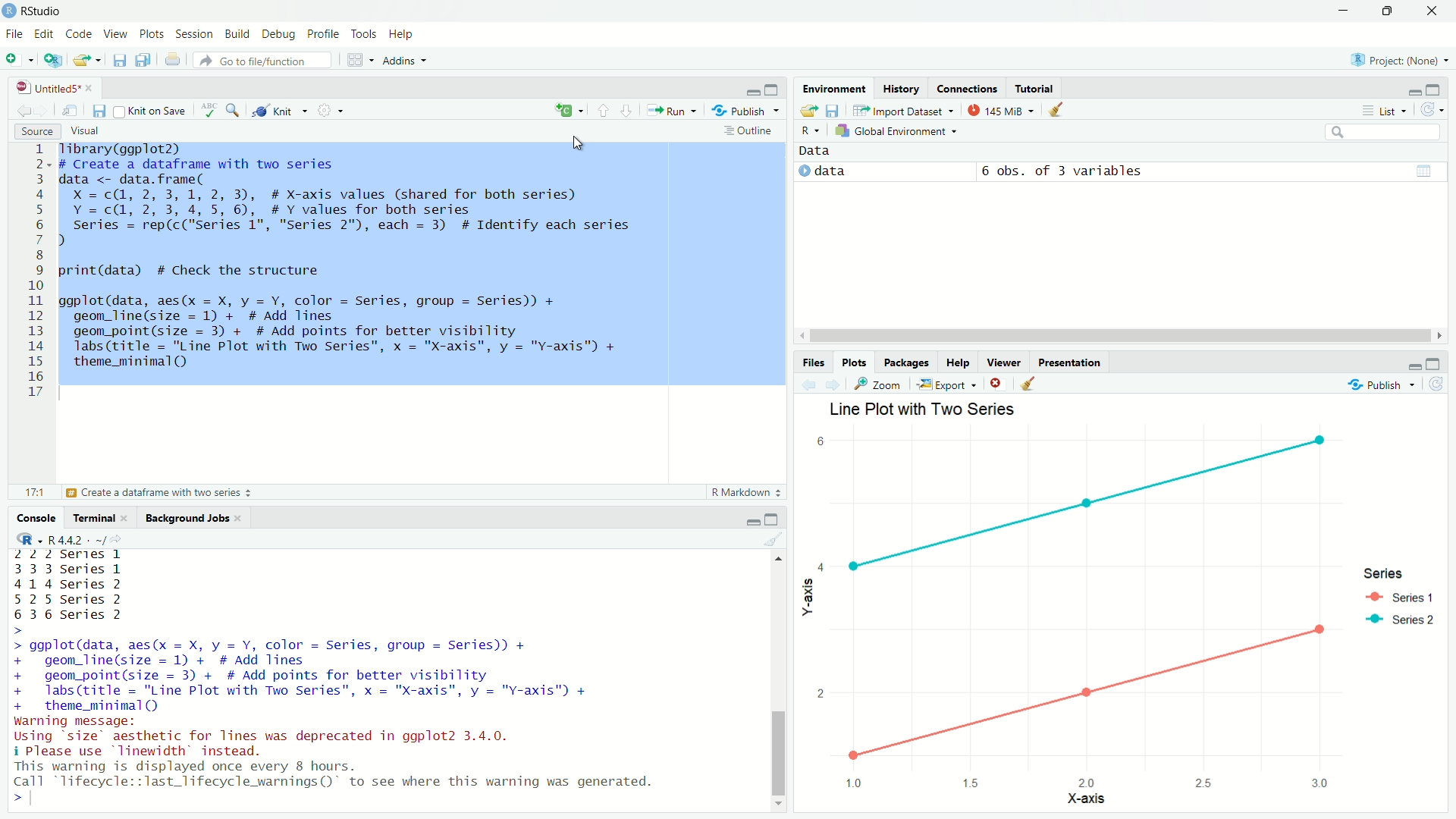 Image resolution: width=1456 pixels, height=819 pixels. What do you see at coordinates (33, 492) in the screenshot?
I see `17:1` at bounding box center [33, 492].